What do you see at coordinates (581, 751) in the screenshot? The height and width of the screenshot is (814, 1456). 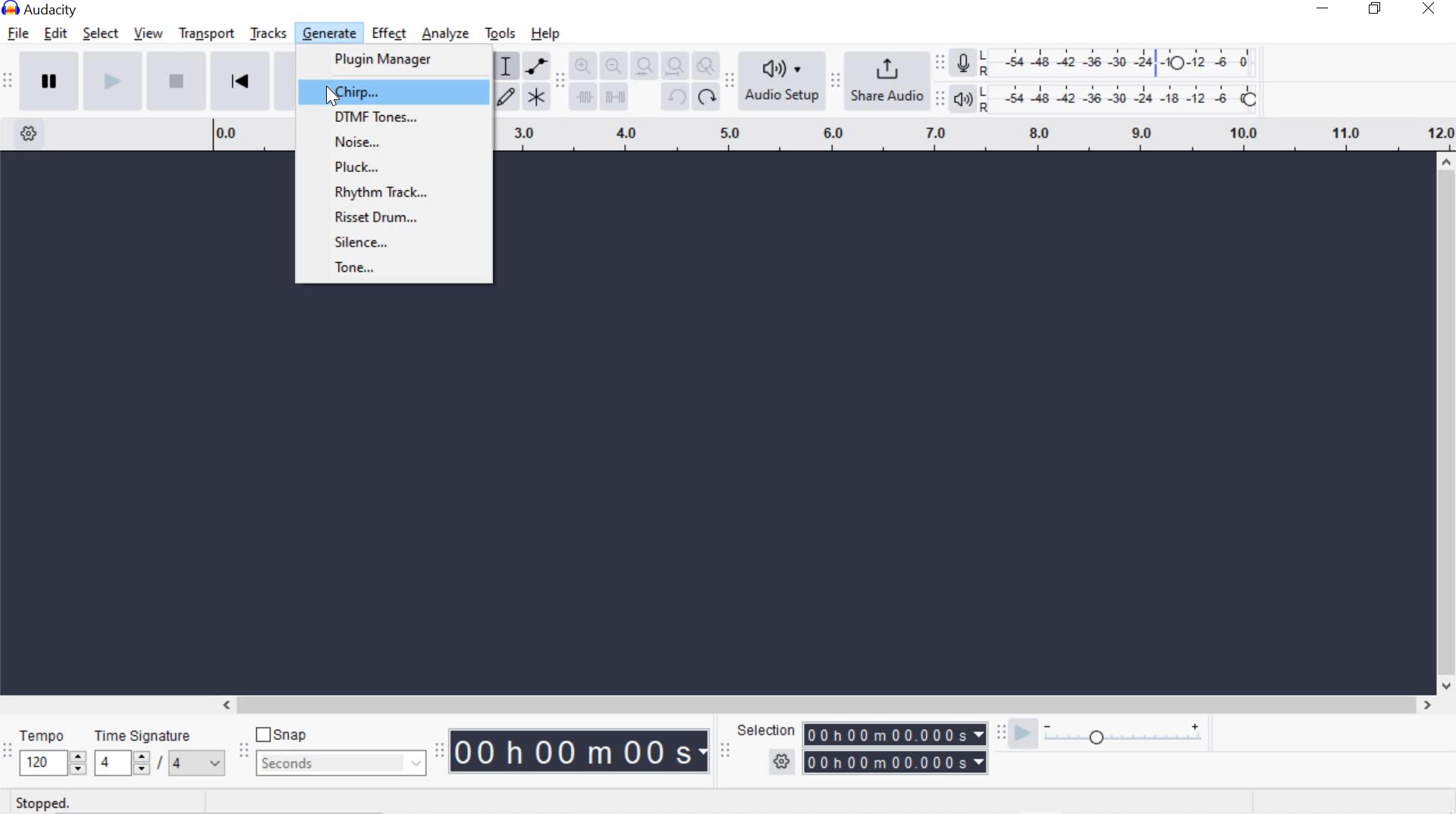 I see `time` at bounding box center [581, 751].